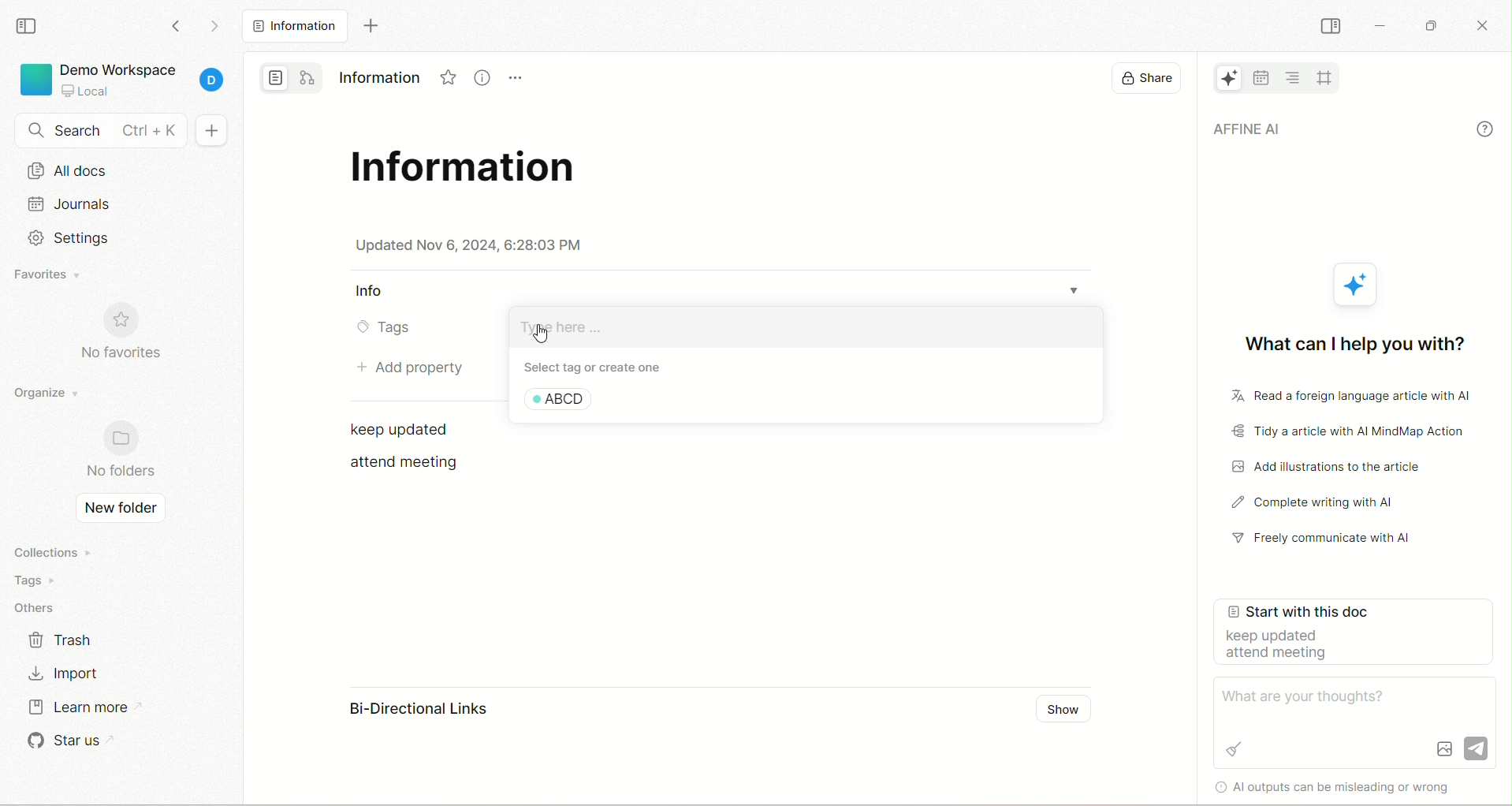  What do you see at coordinates (84, 91) in the screenshot?
I see `local` at bounding box center [84, 91].